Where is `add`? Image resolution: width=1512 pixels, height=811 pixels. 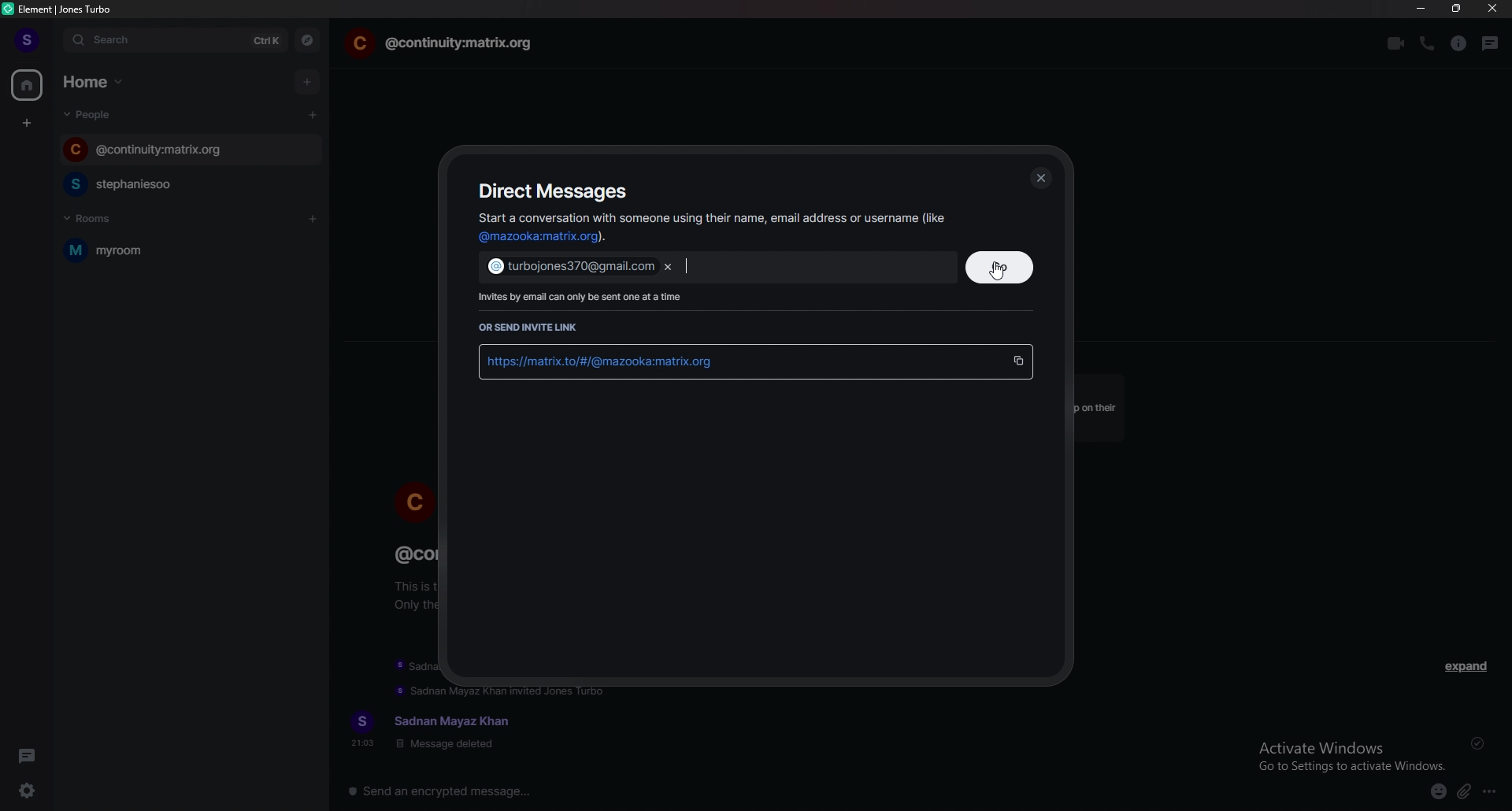
add is located at coordinates (306, 79).